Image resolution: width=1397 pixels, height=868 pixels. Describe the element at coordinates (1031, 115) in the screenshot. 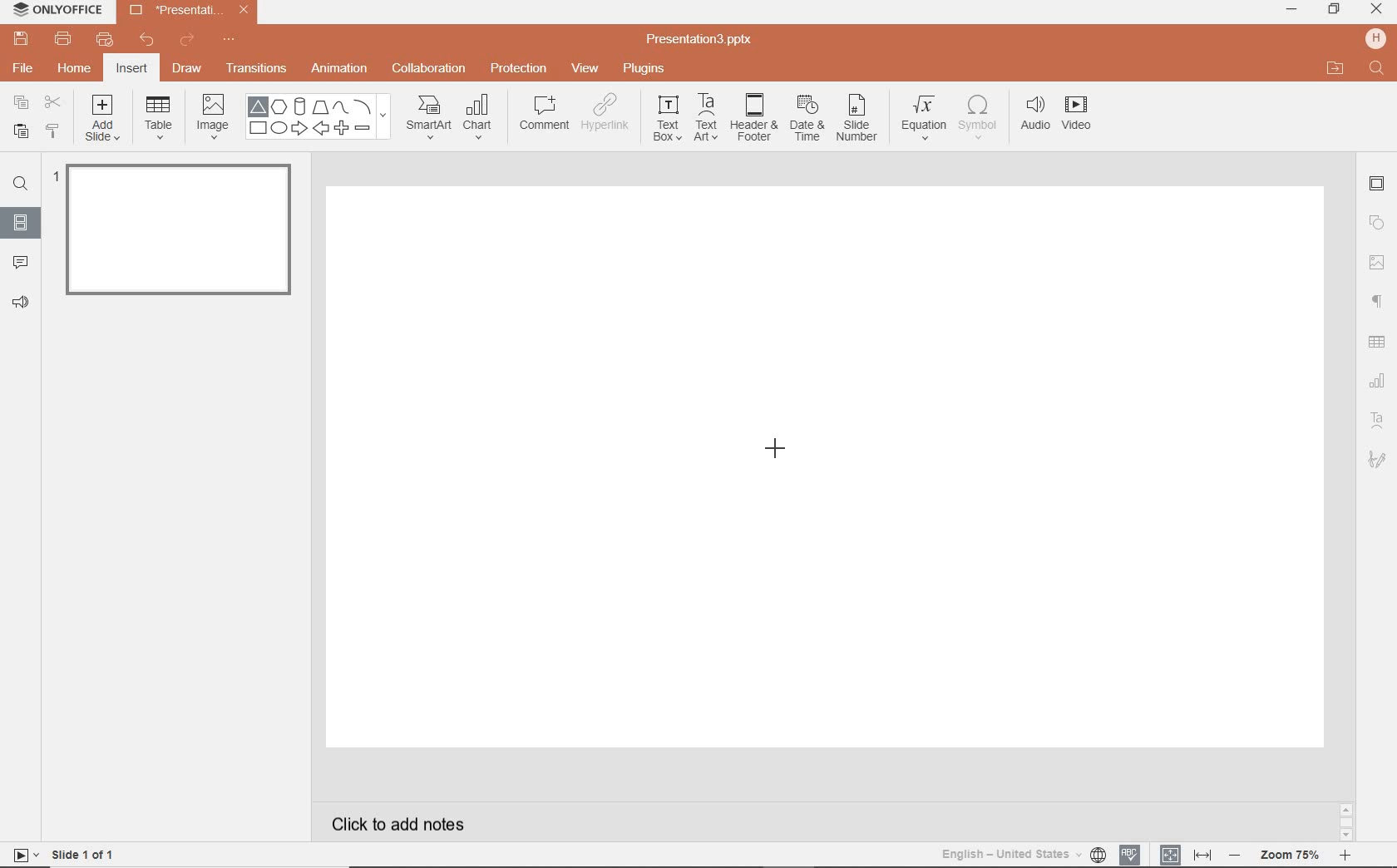

I see `AUDIO` at that location.